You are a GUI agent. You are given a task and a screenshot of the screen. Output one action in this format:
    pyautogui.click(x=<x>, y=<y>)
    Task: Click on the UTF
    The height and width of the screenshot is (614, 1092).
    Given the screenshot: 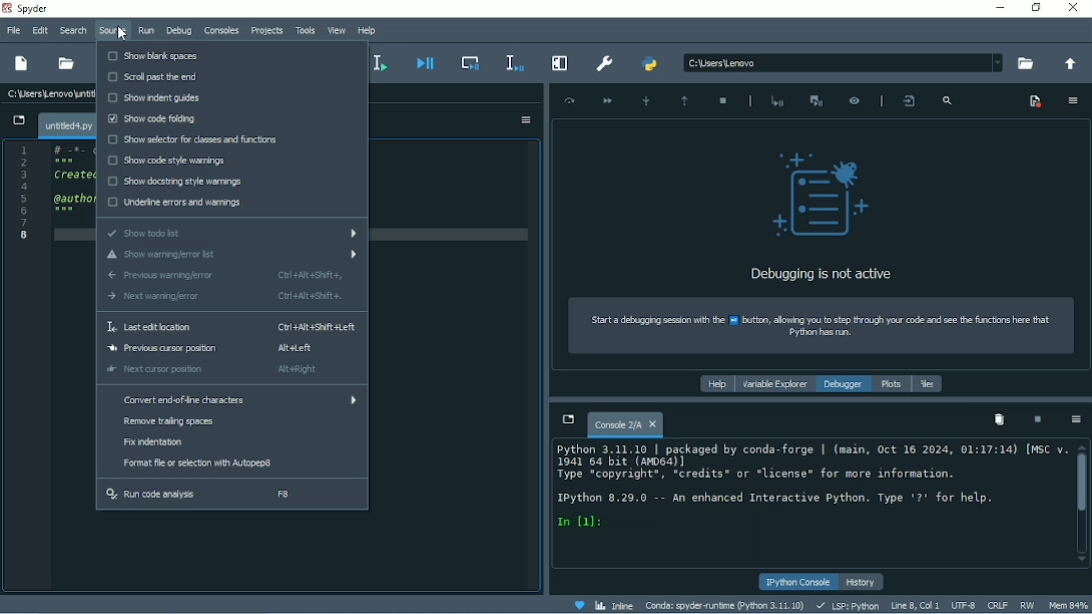 What is the action you would take?
    pyautogui.click(x=963, y=605)
    